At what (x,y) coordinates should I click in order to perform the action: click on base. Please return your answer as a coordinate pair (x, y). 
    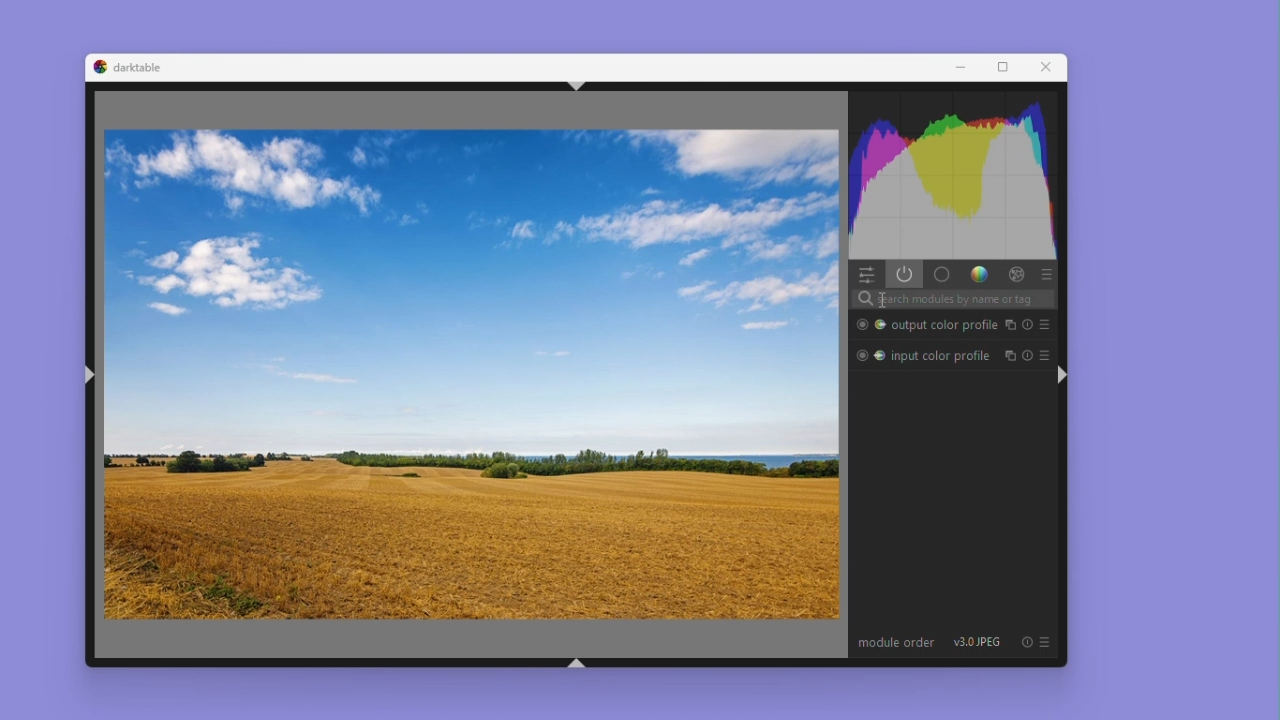
    Looking at the image, I should click on (941, 275).